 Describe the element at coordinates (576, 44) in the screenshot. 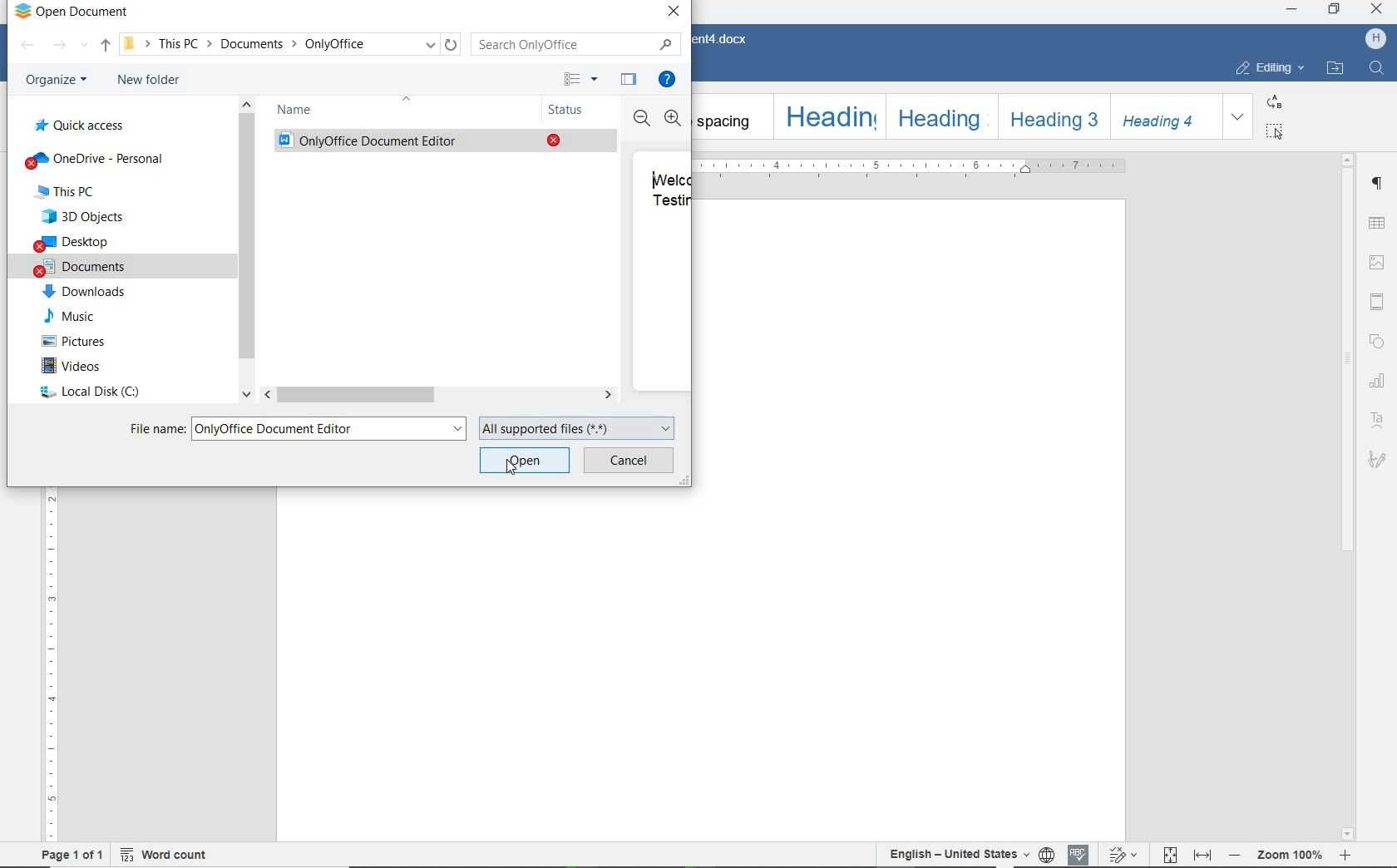

I see `search only office` at that location.